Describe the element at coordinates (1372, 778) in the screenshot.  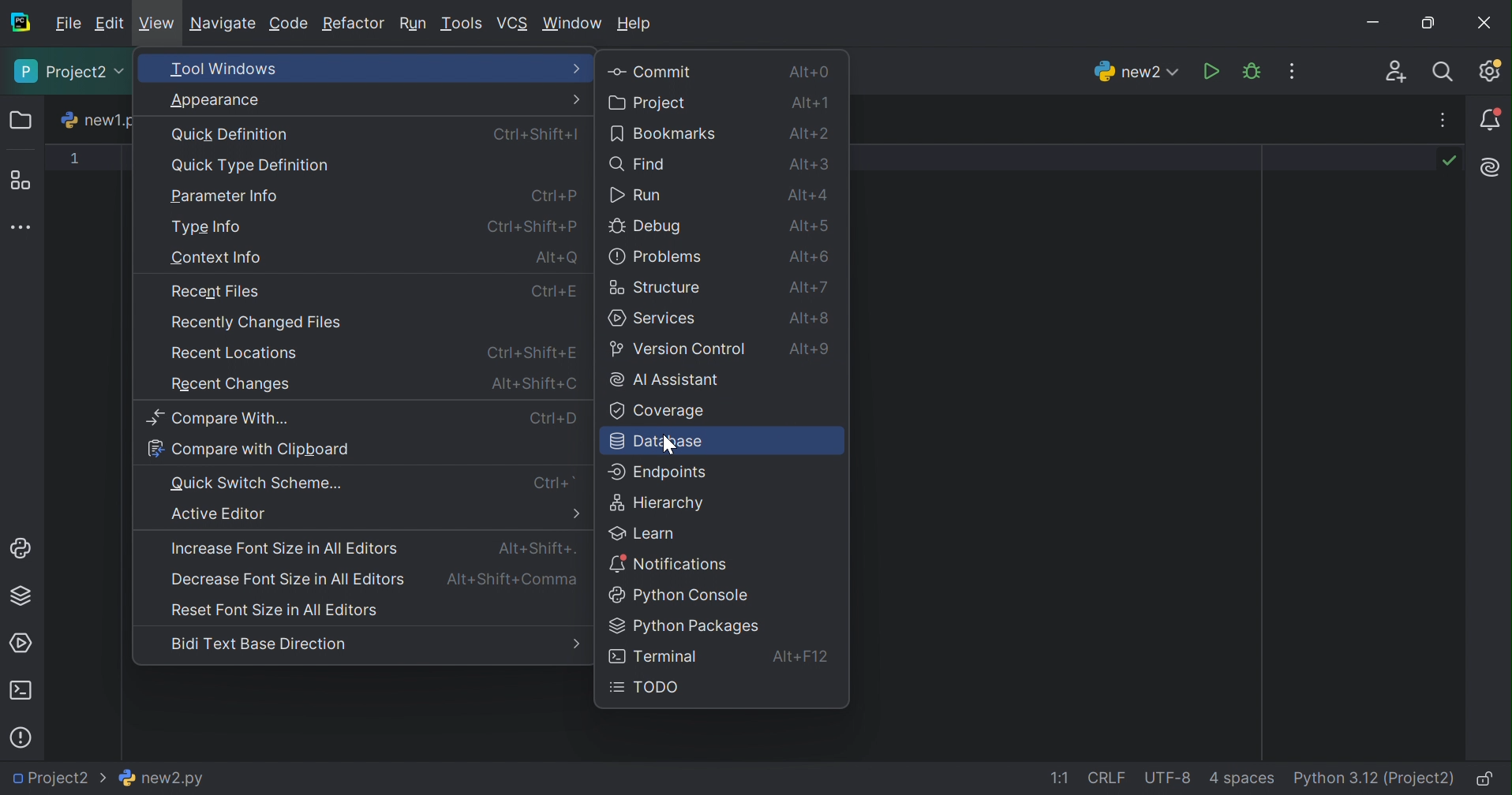
I see `Python 3.12 (Project2)` at that location.